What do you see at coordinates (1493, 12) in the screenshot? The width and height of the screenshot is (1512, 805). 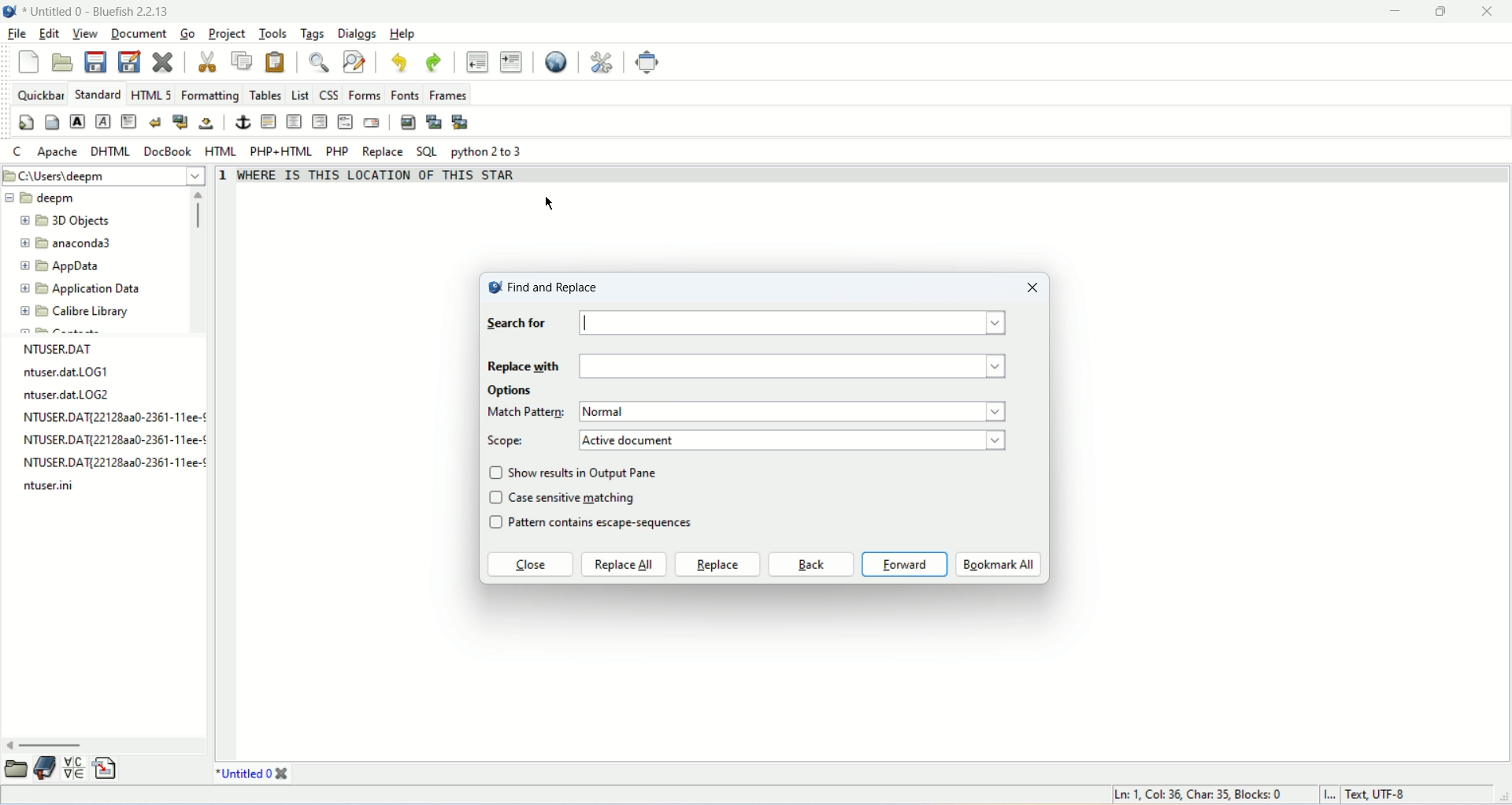 I see `close` at bounding box center [1493, 12].